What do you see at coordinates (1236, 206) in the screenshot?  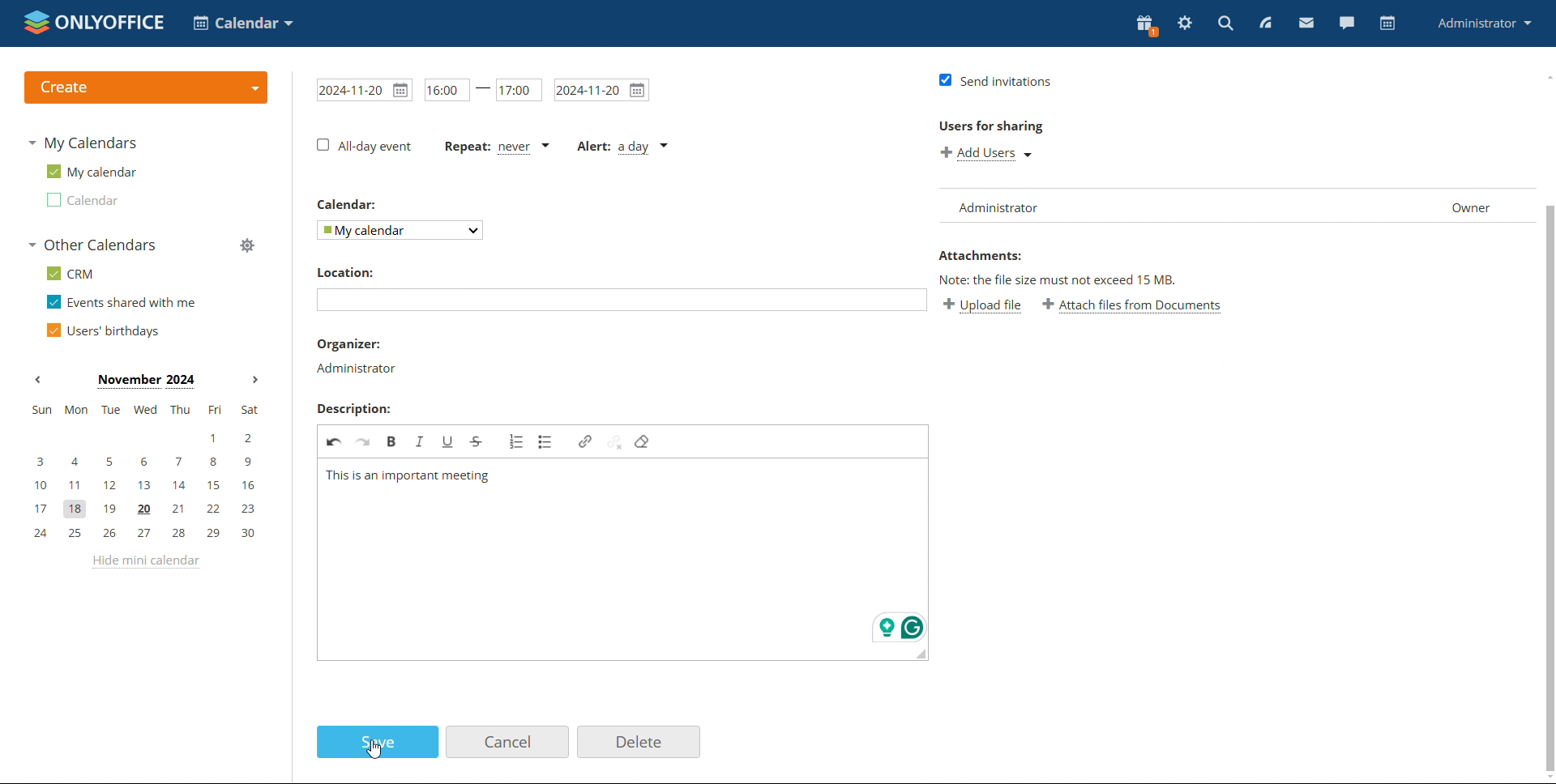 I see `list of users` at bounding box center [1236, 206].